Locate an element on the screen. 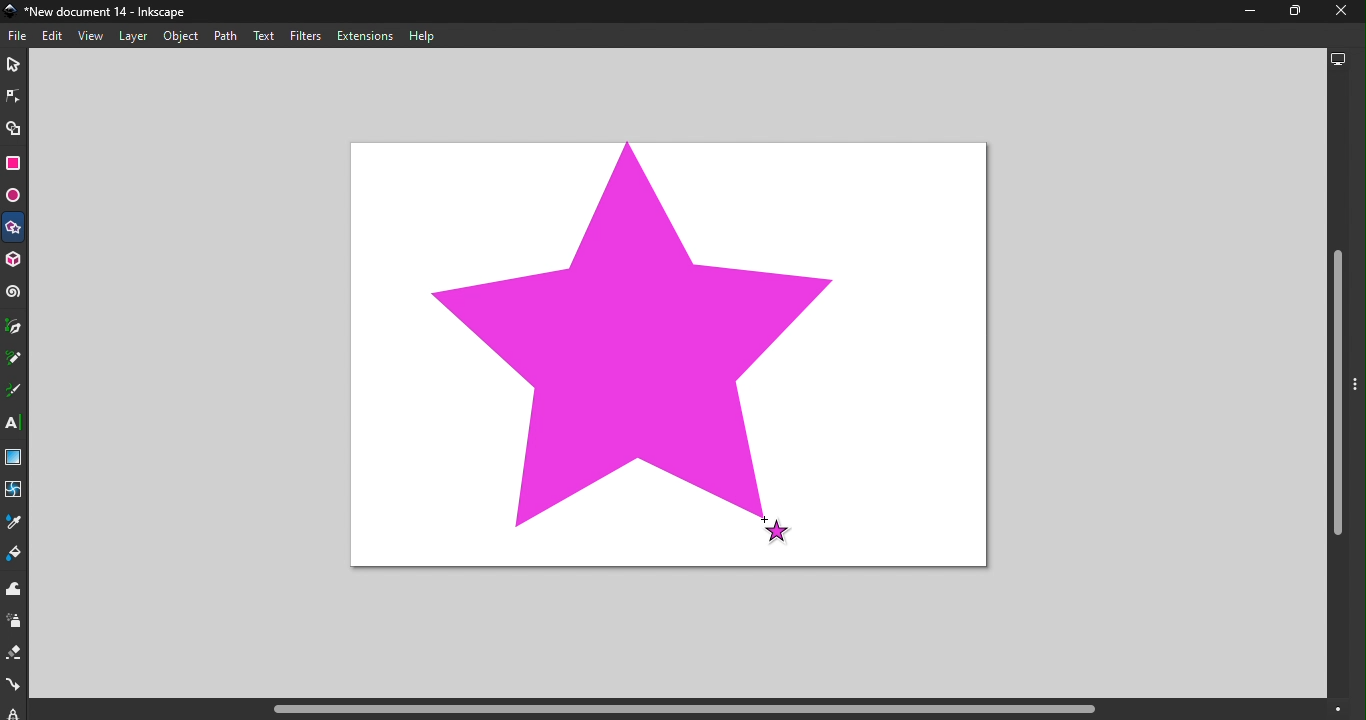 Image resolution: width=1366 pixels, height=720 pixels. Extensions is located at coordinates (364, 36).